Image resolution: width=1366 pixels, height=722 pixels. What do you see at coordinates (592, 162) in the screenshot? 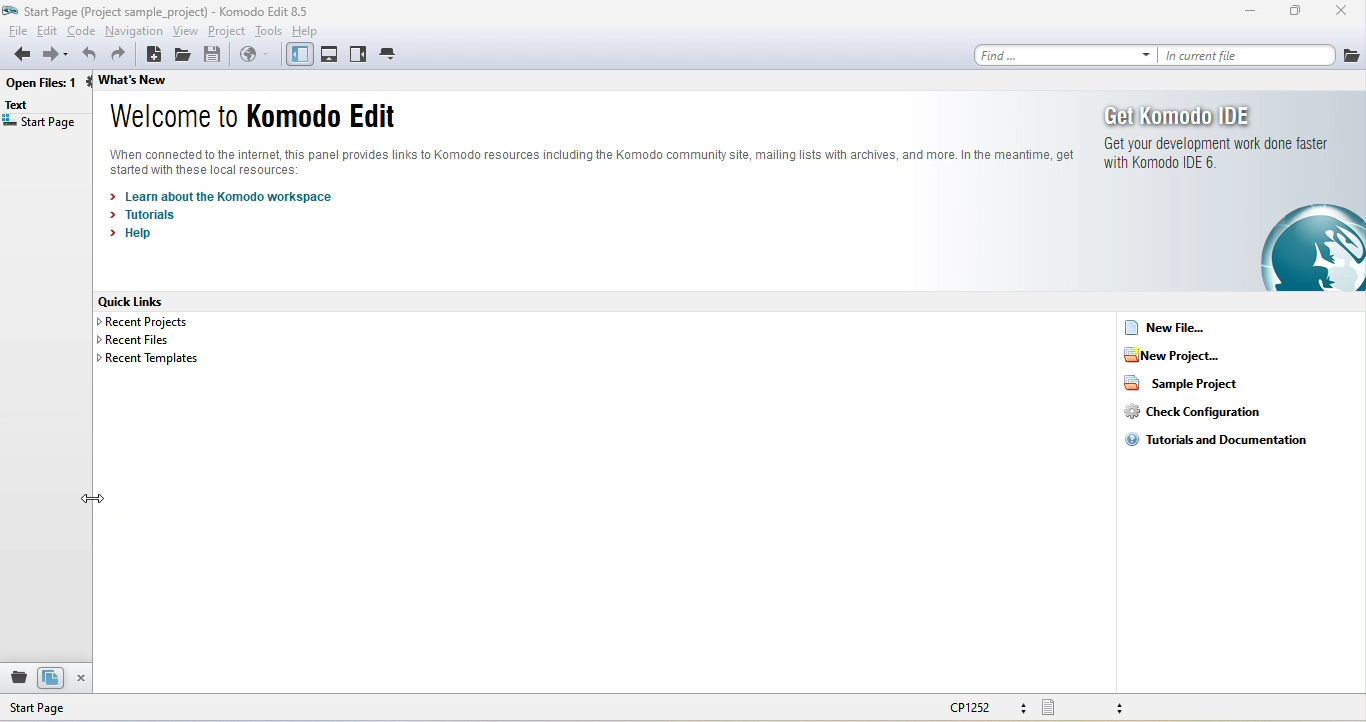
I see `komodo text` at bounding box center [592, 162].